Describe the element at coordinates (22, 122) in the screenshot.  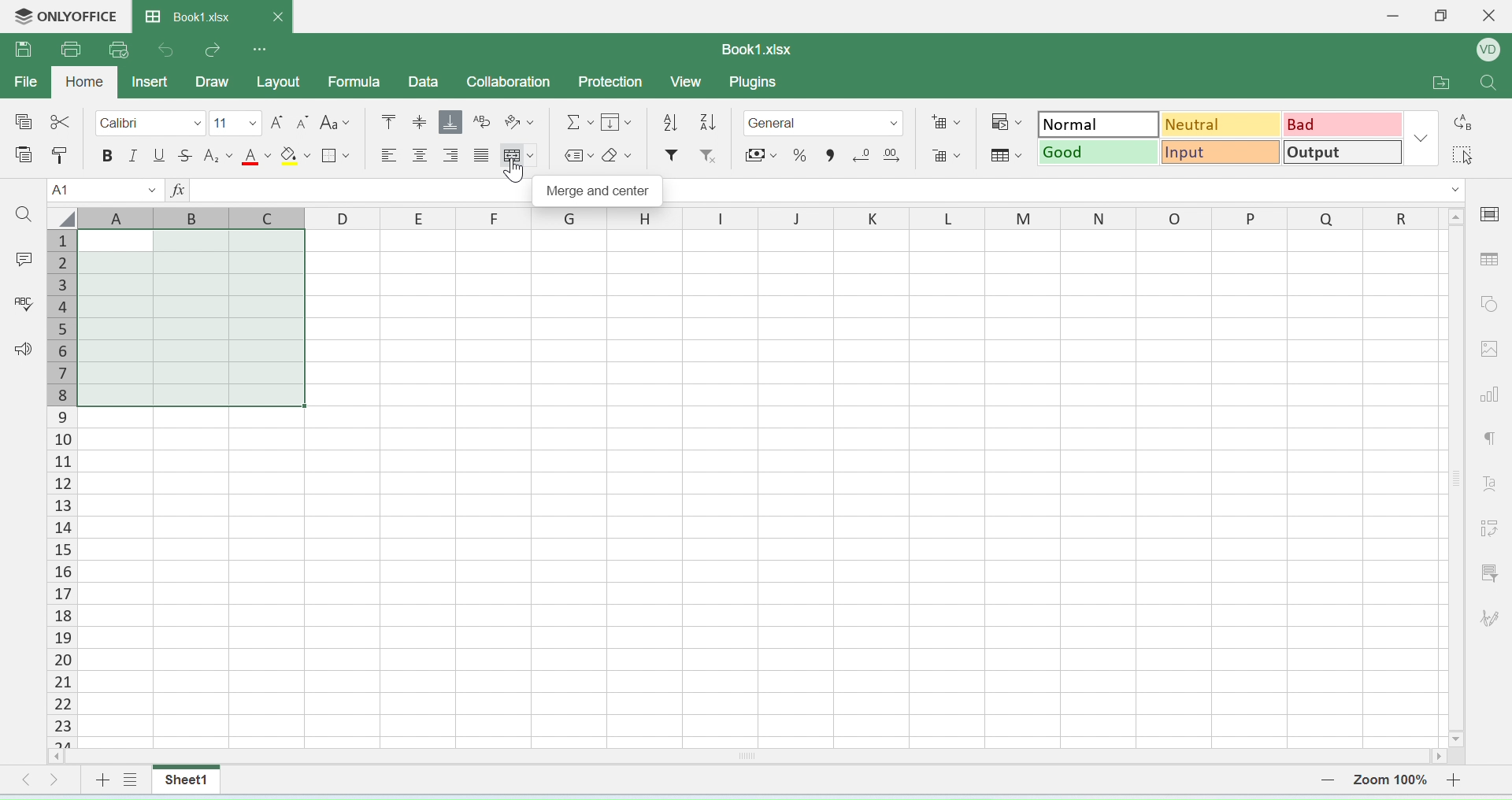
I see `special` at that location.